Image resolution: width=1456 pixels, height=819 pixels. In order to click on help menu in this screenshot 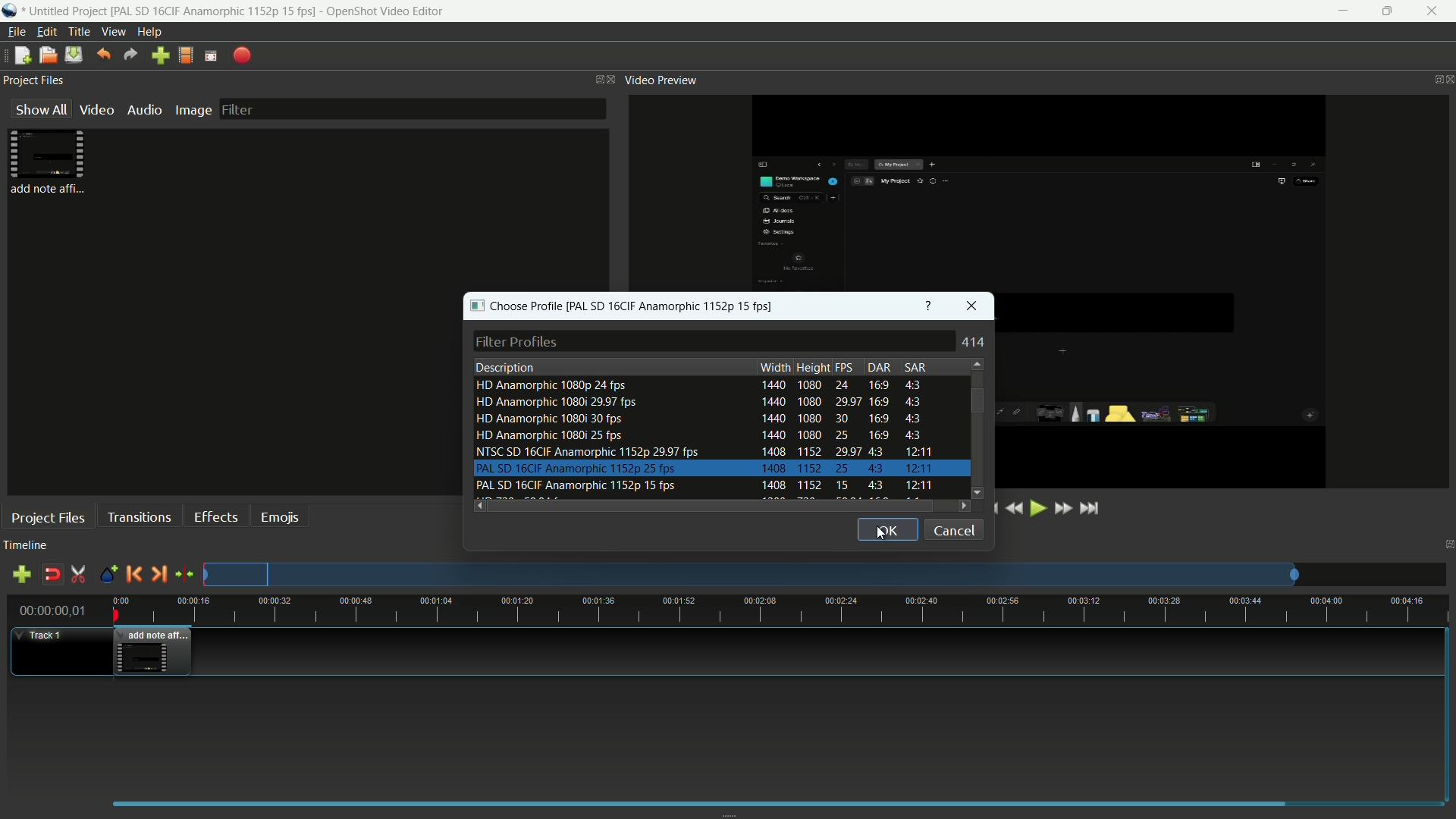, I will do `click(151, 30)`.